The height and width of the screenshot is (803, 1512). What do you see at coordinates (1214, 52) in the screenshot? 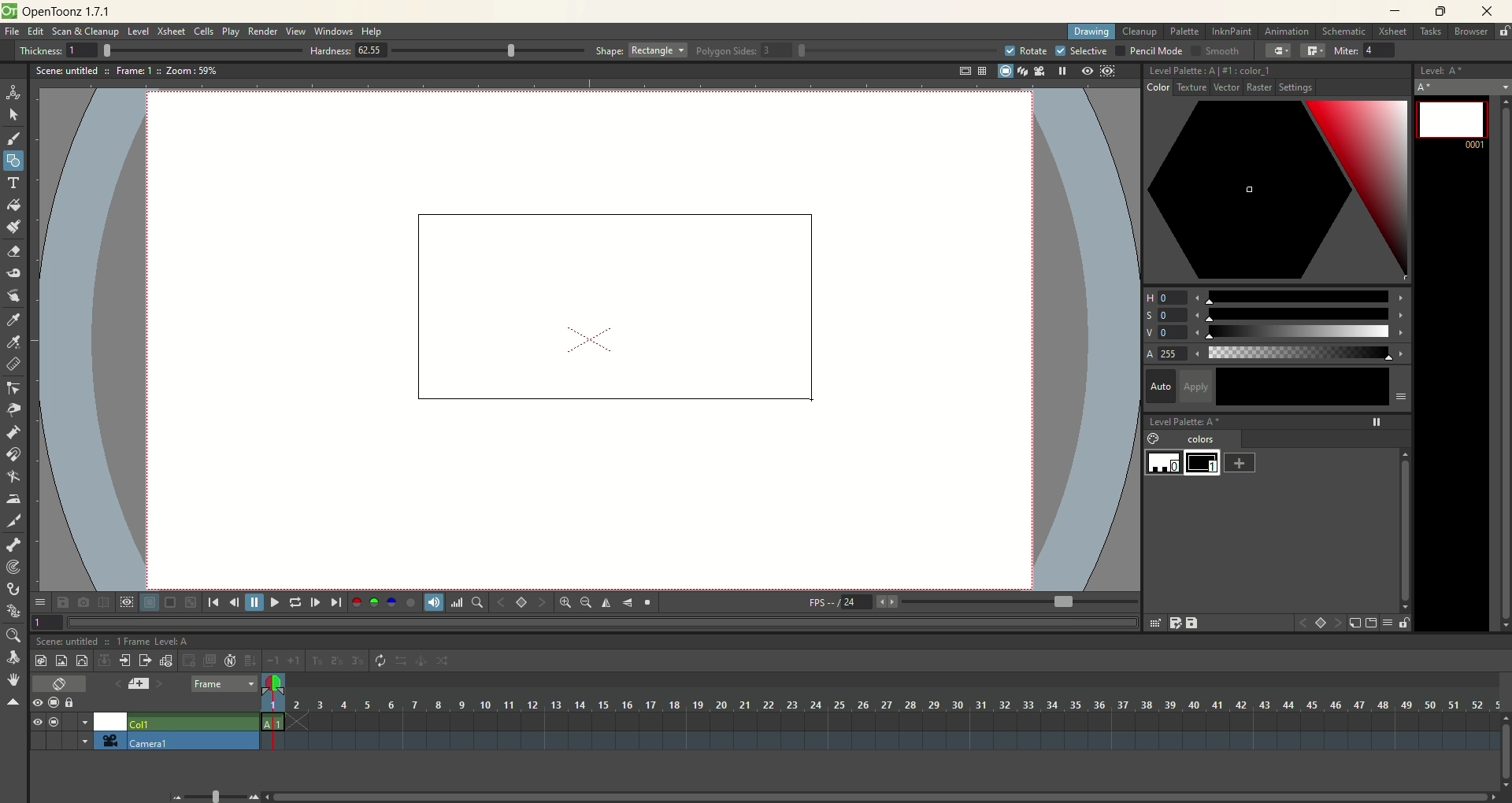
I see `smooth` at bounding box center [1214, 52].